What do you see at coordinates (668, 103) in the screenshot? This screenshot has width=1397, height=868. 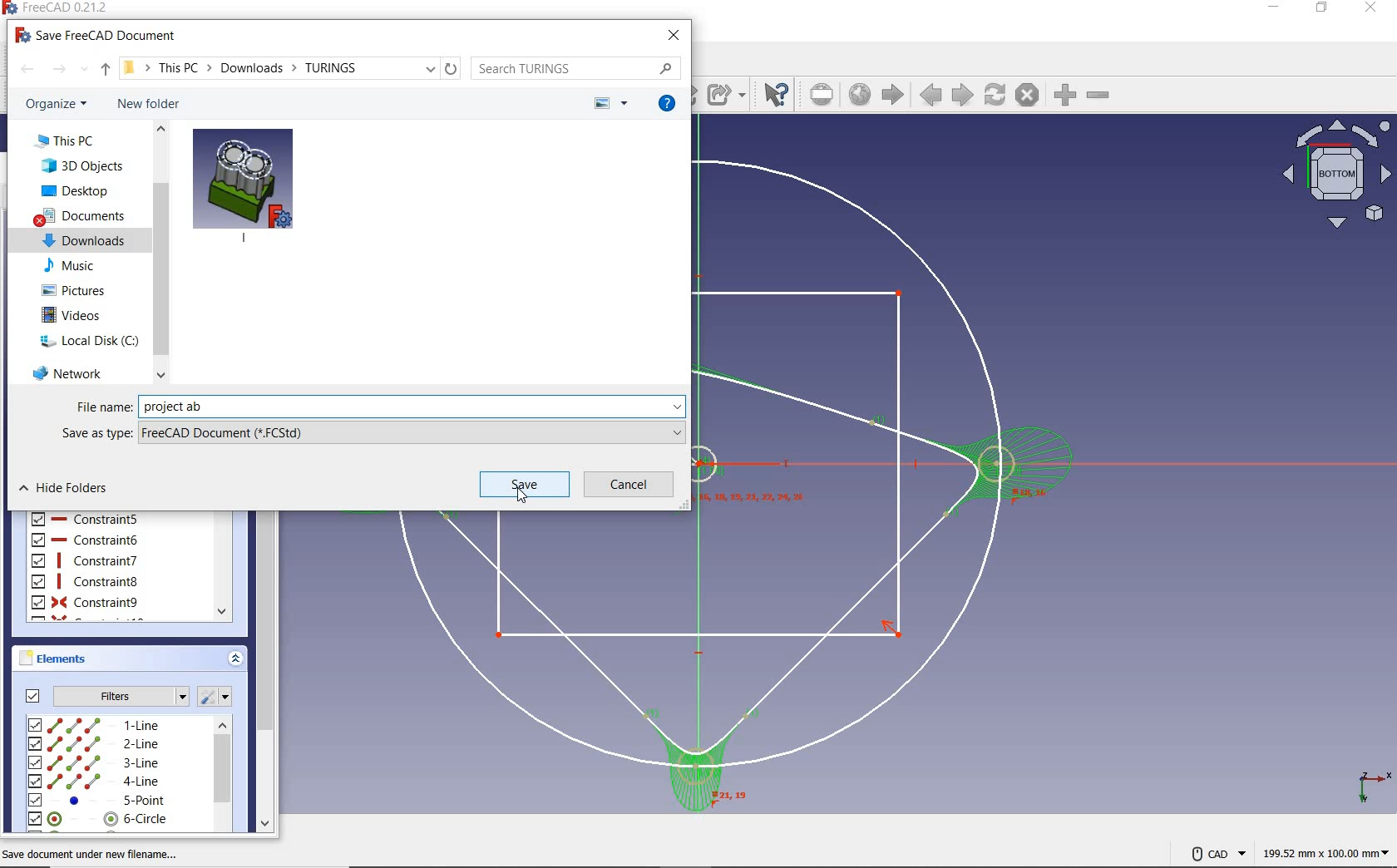 I see `get help` at bounding box center [668, 103].